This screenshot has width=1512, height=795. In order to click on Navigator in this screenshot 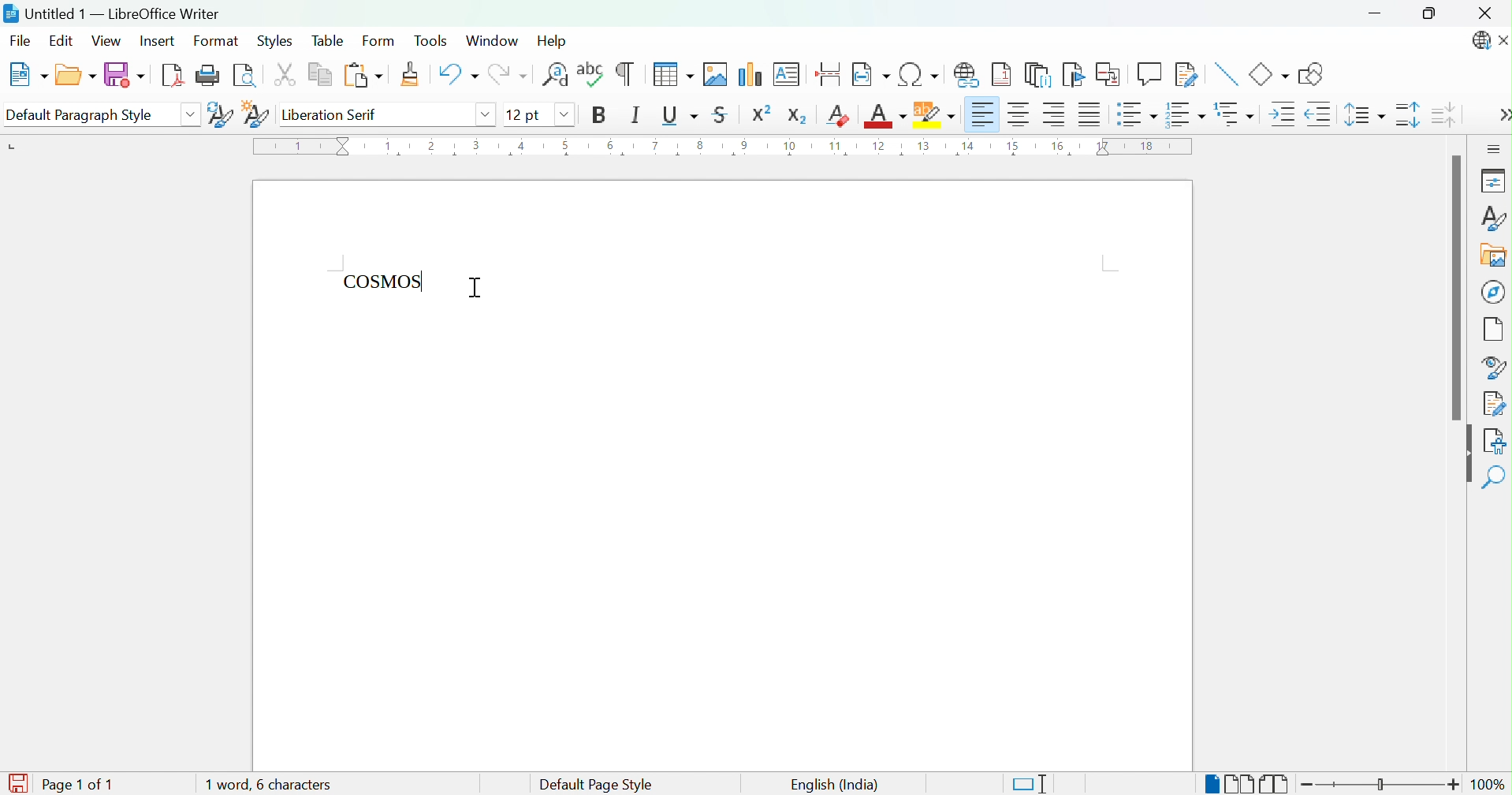, I will do `click(1495, 291)`.